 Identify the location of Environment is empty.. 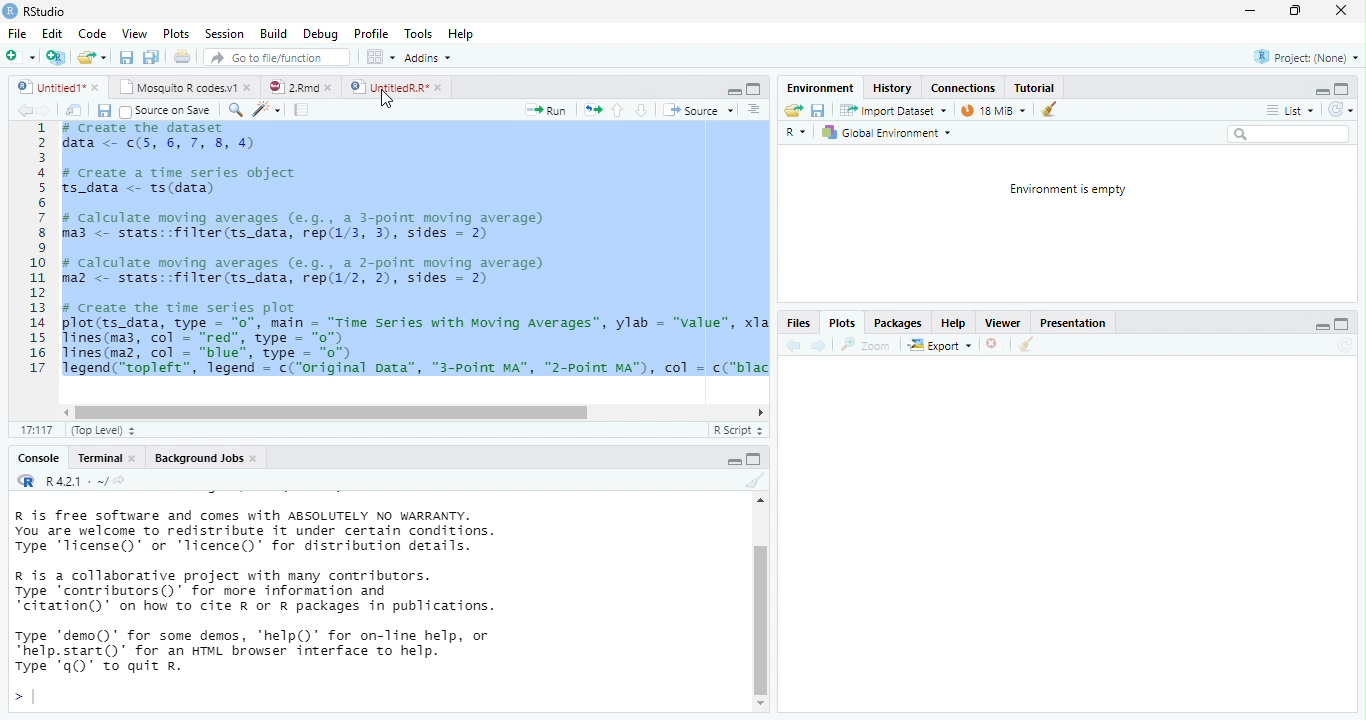
(1067, 190).